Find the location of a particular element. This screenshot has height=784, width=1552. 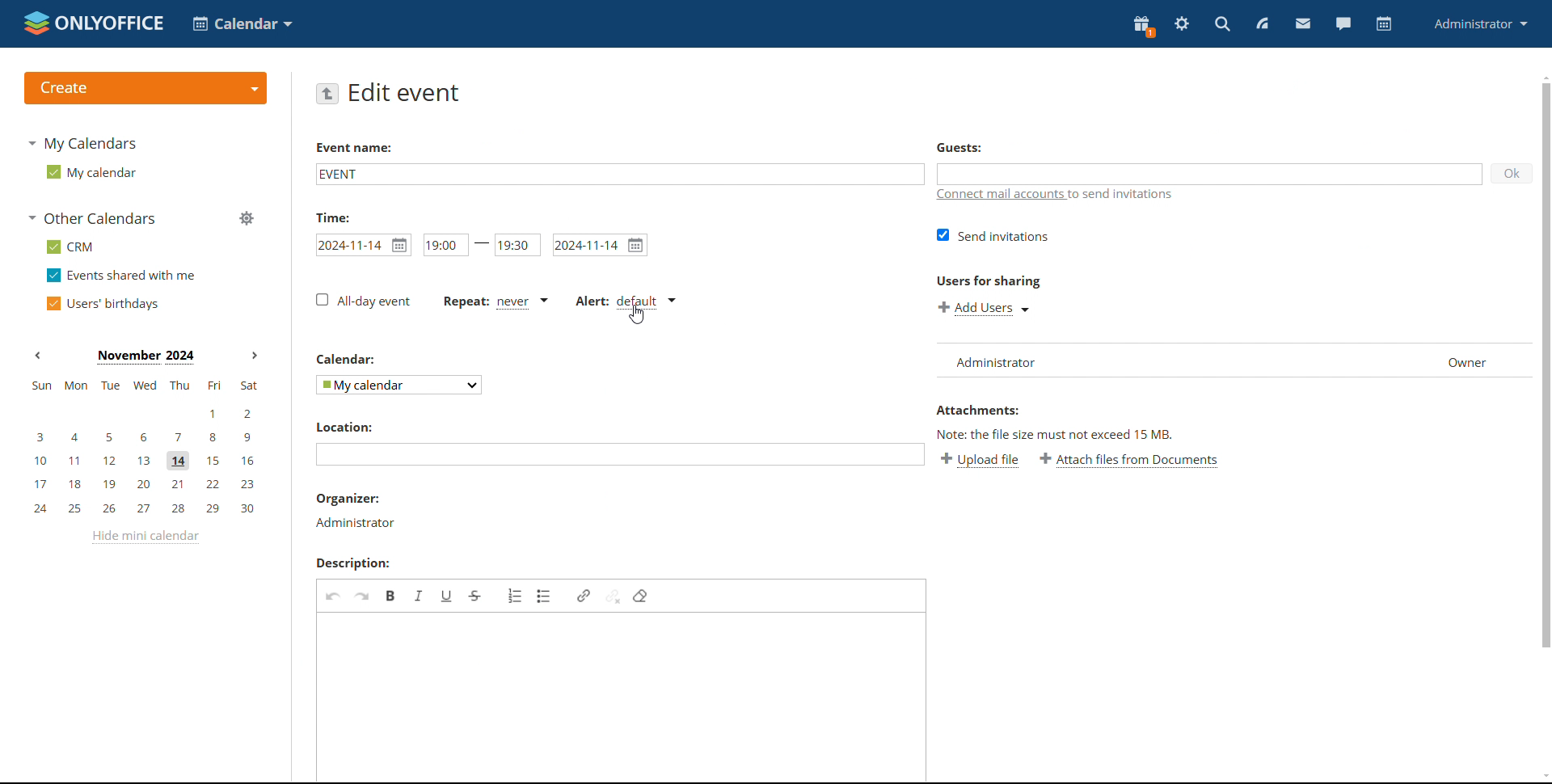

bold is located at coordinates (390, 595).